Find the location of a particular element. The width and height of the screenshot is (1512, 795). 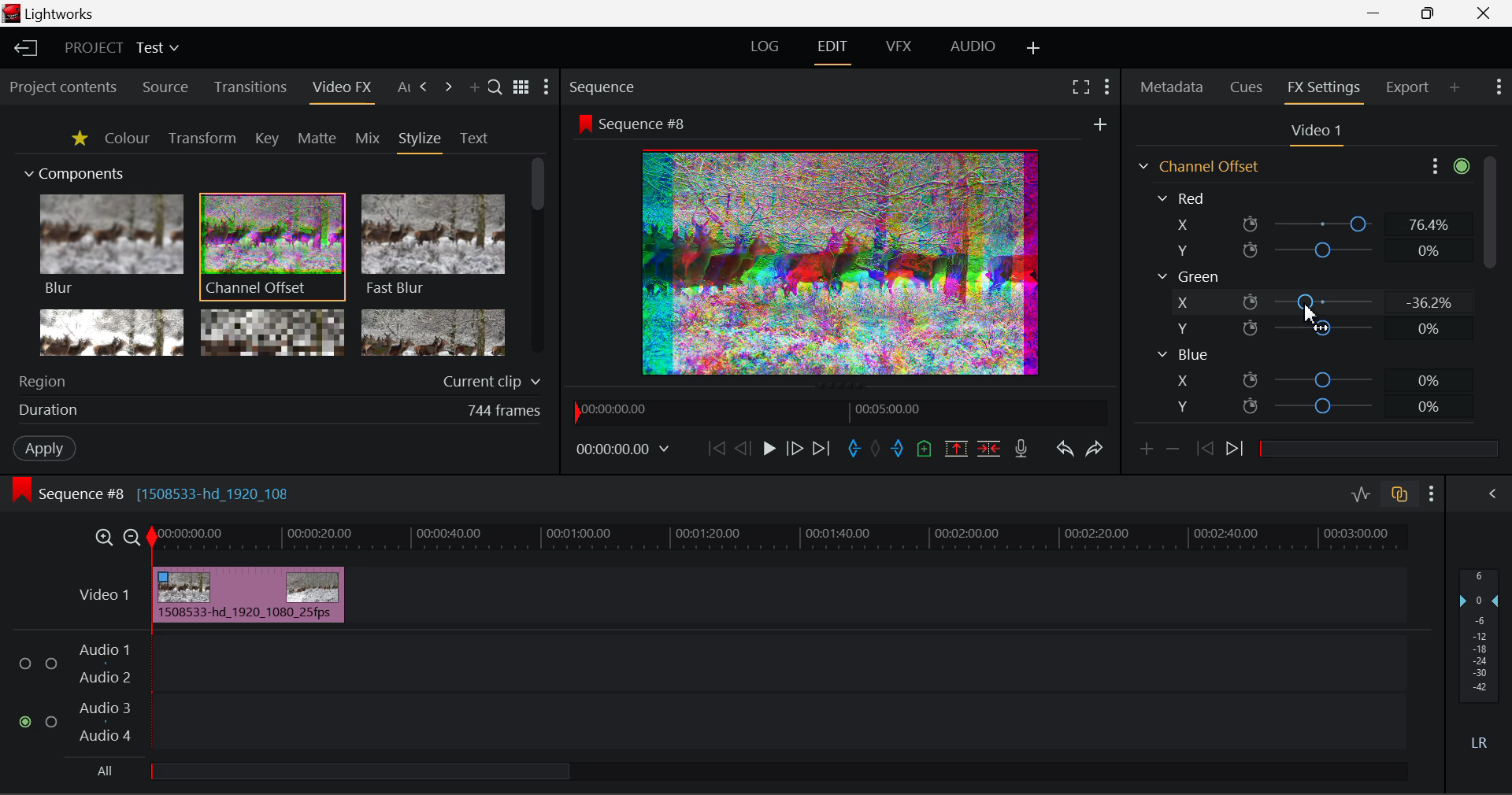

Restore Down is located at coordinates (1379, 14).